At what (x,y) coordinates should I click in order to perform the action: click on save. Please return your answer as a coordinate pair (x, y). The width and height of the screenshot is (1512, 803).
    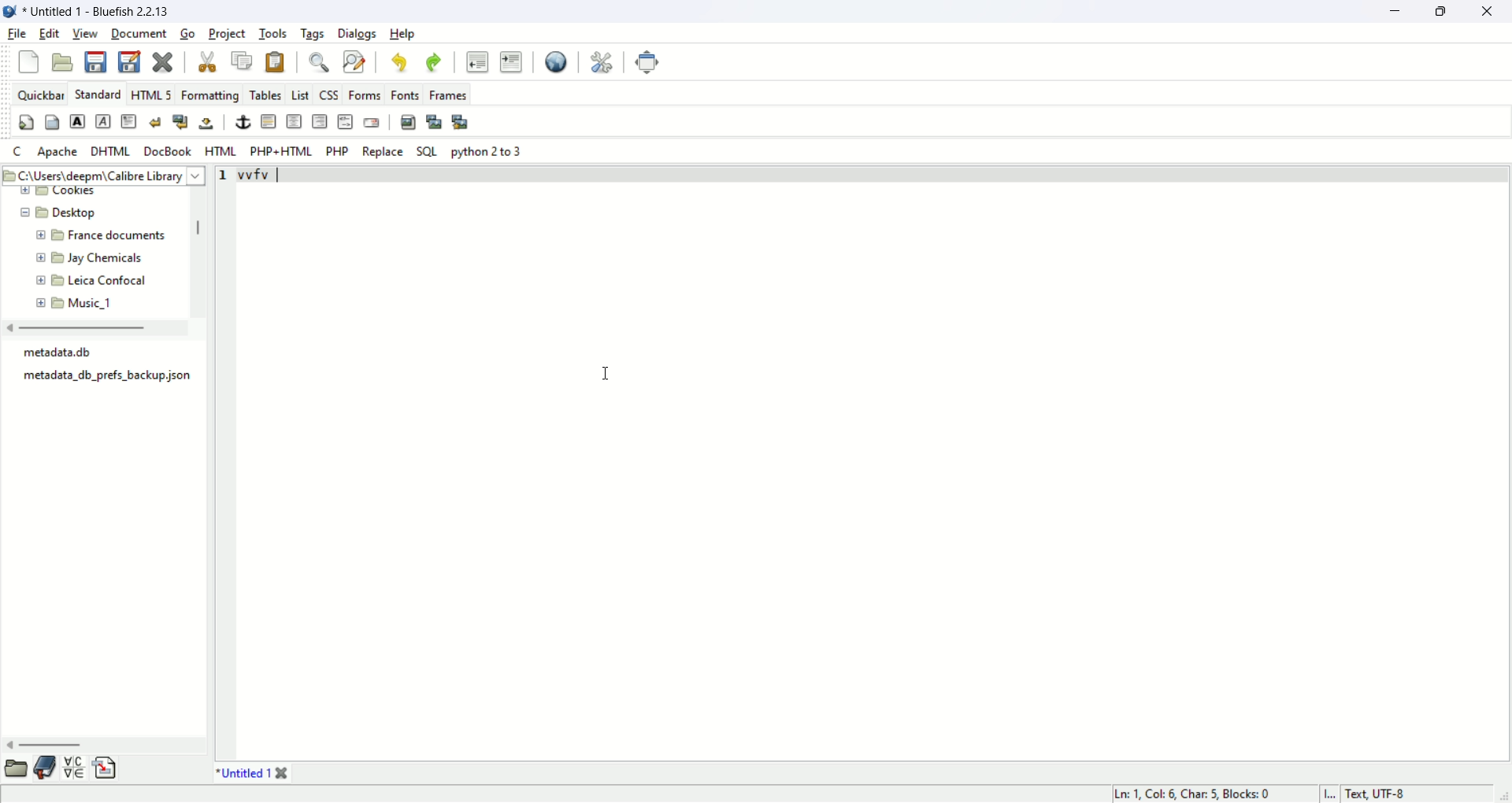
    Looking at the image, I should click on (96, 63).